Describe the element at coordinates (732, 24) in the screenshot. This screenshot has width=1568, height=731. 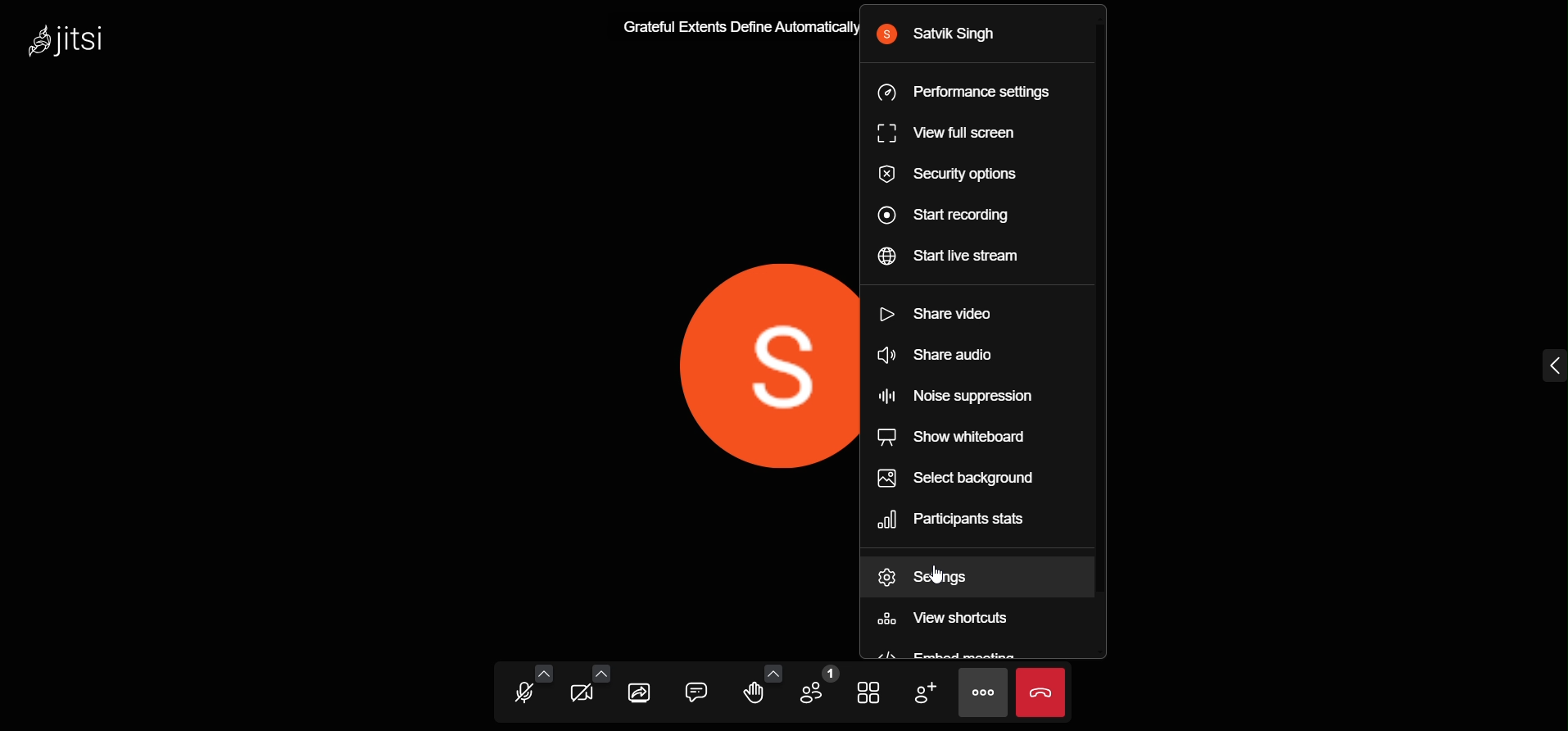
I see `meeting title` at that location.